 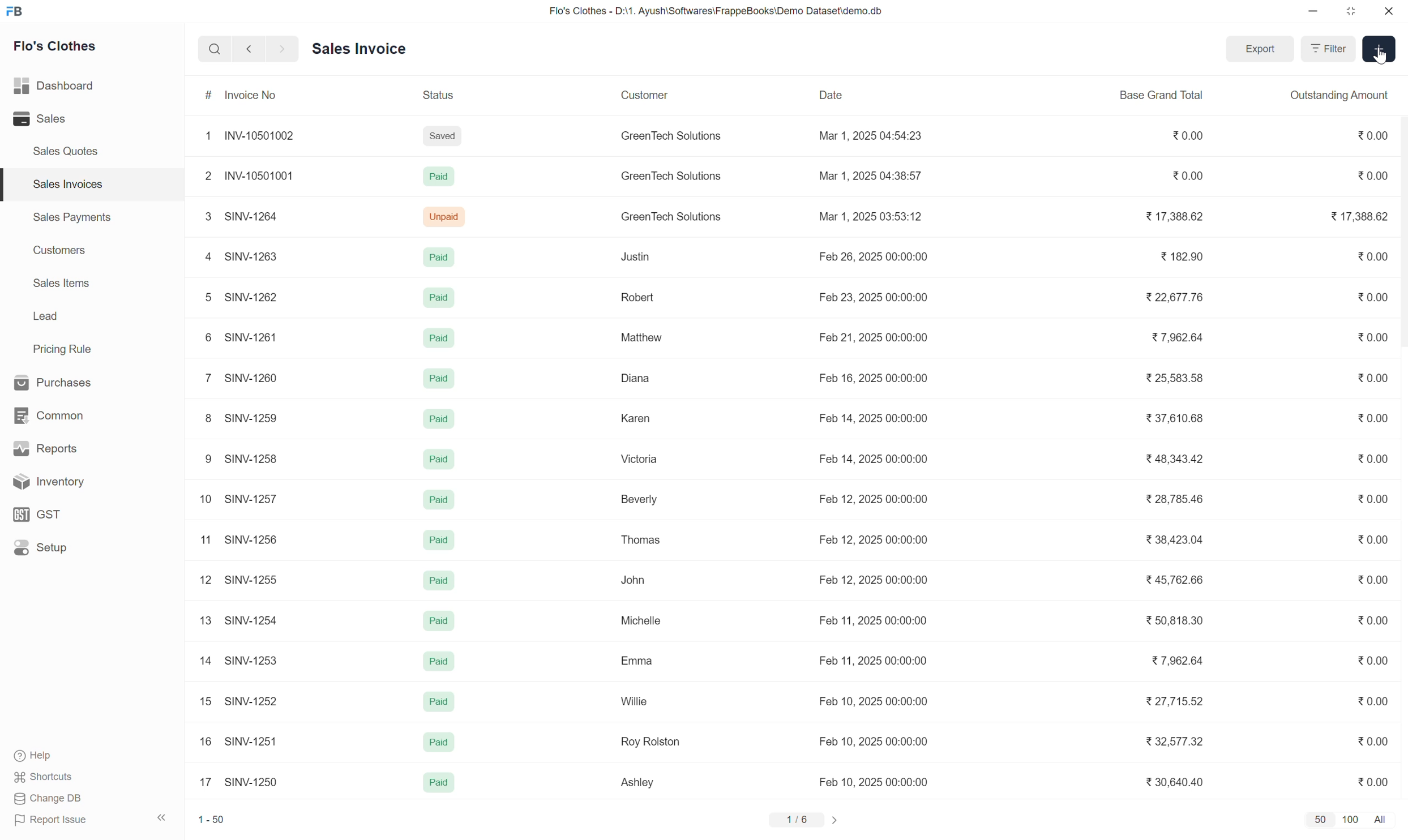 What do you see at coordinates (258, 339) in the screenshot?
I see `SINV-1261` at bounding box center [258, 339].